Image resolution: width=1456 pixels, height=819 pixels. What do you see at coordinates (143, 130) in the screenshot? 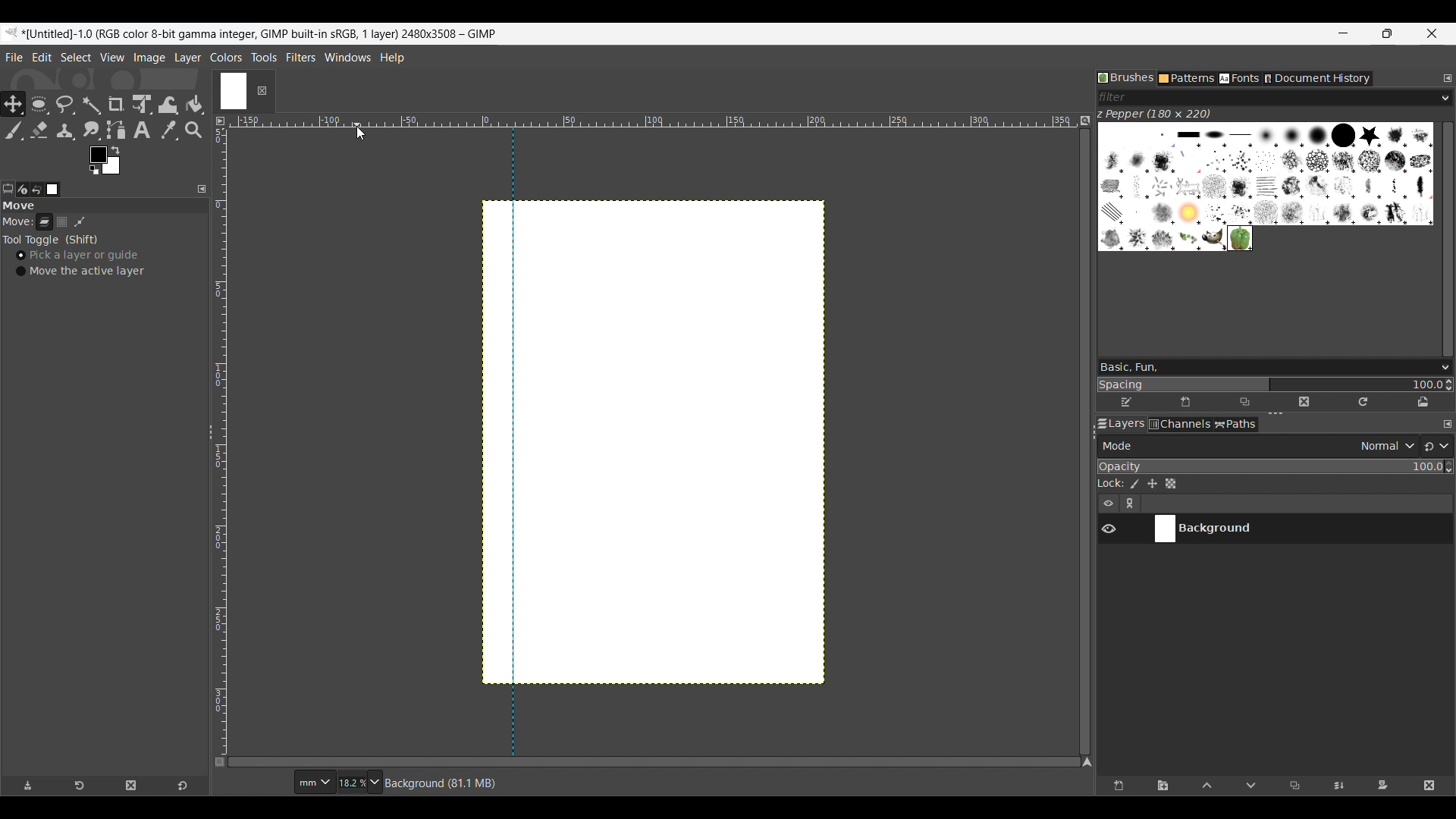
I see `Text tool` at bounding box center [143, 130].